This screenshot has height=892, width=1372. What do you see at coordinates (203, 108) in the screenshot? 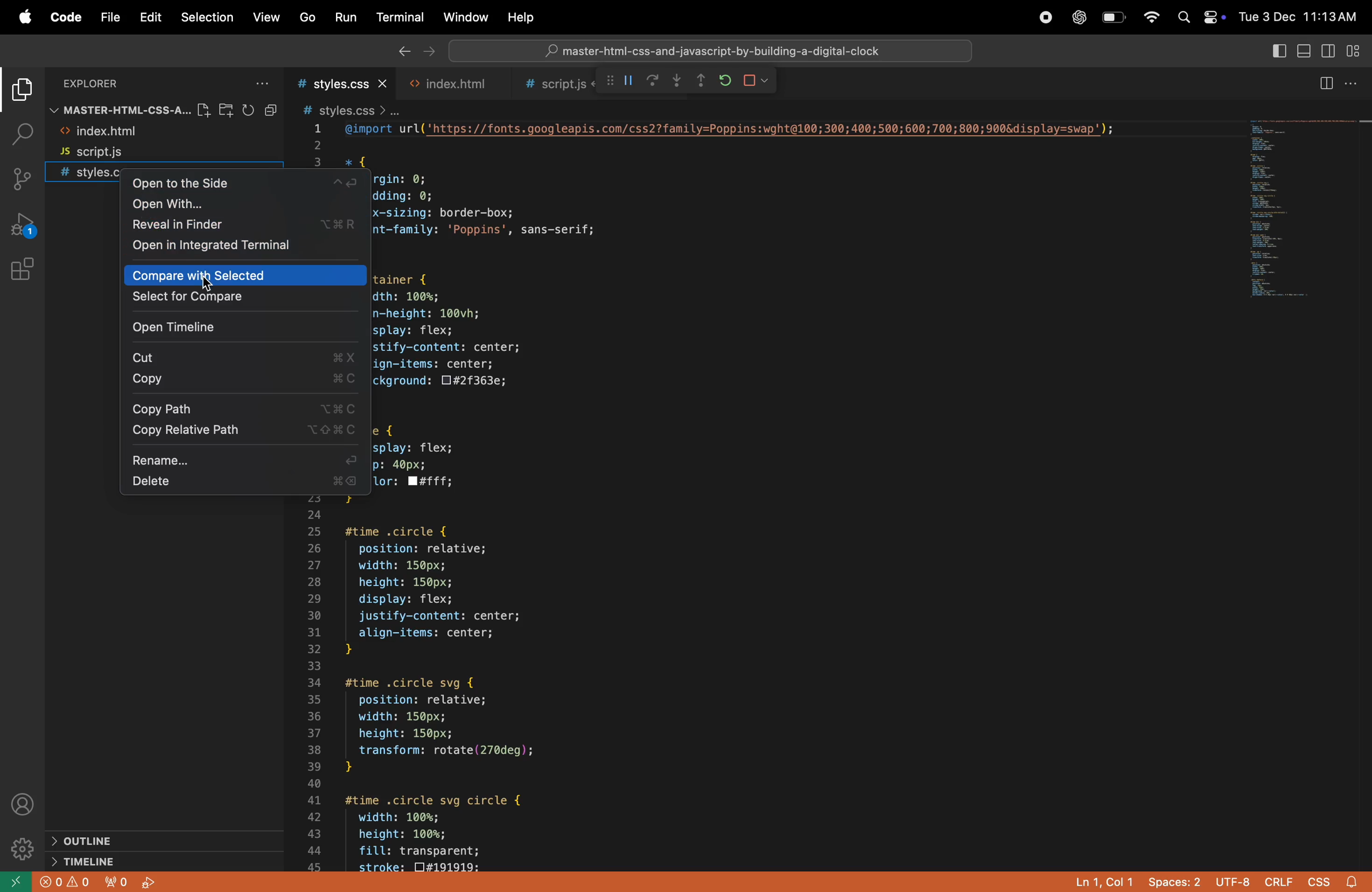
I see `new file` at bounding box center [203, 108].